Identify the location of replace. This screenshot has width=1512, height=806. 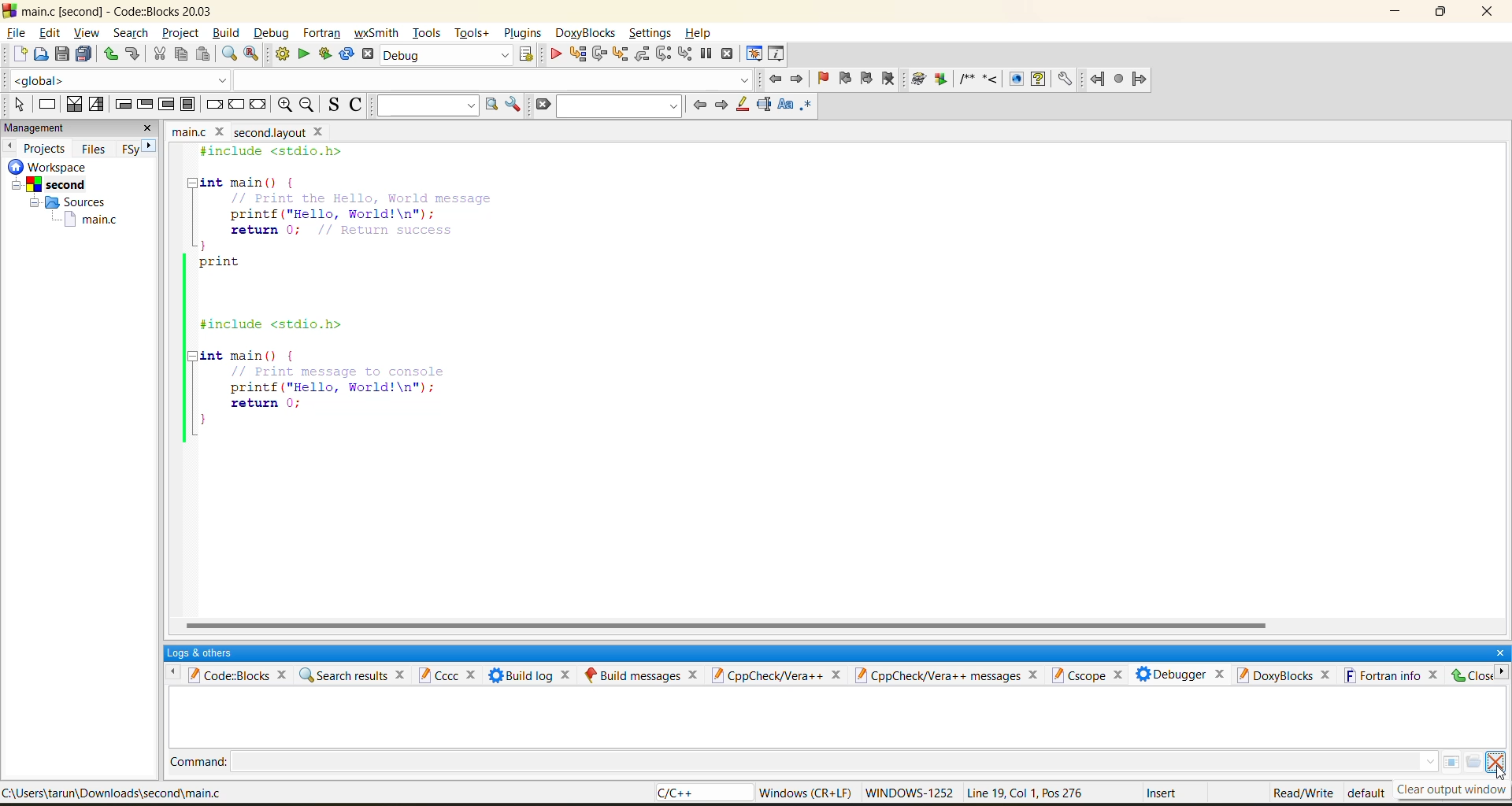
(250, 55).